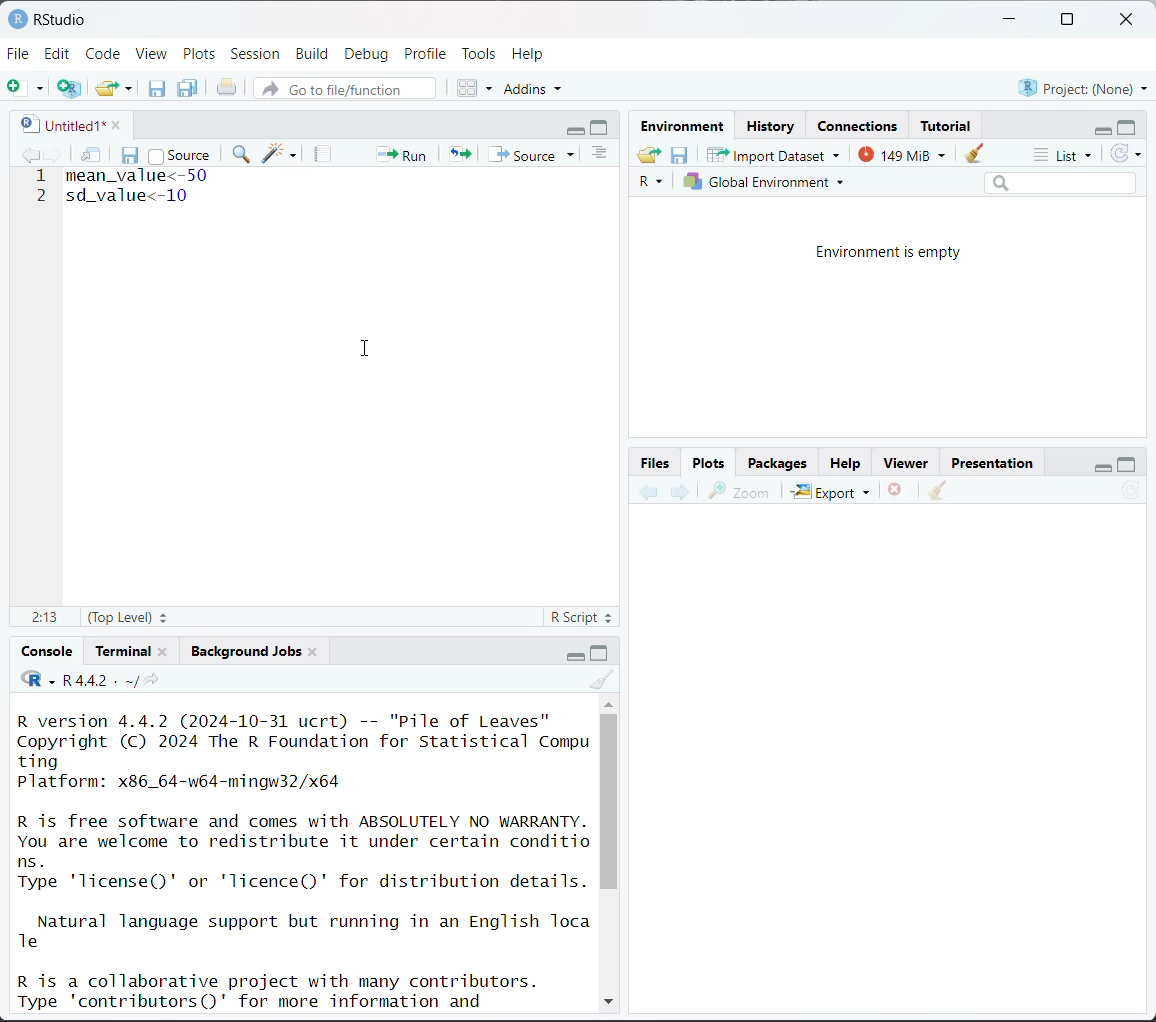  I want to click on code, so click(37, 680).